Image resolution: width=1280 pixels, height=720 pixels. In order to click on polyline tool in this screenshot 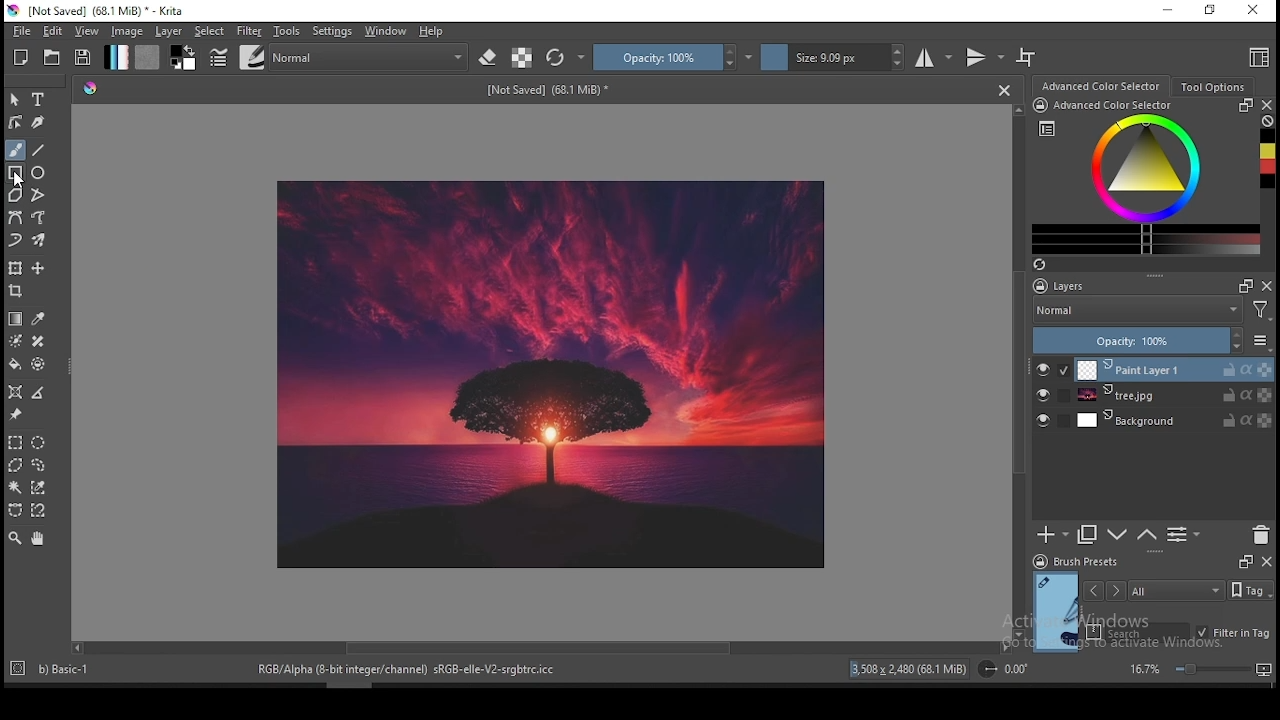, I will do `click(38, 194)`.